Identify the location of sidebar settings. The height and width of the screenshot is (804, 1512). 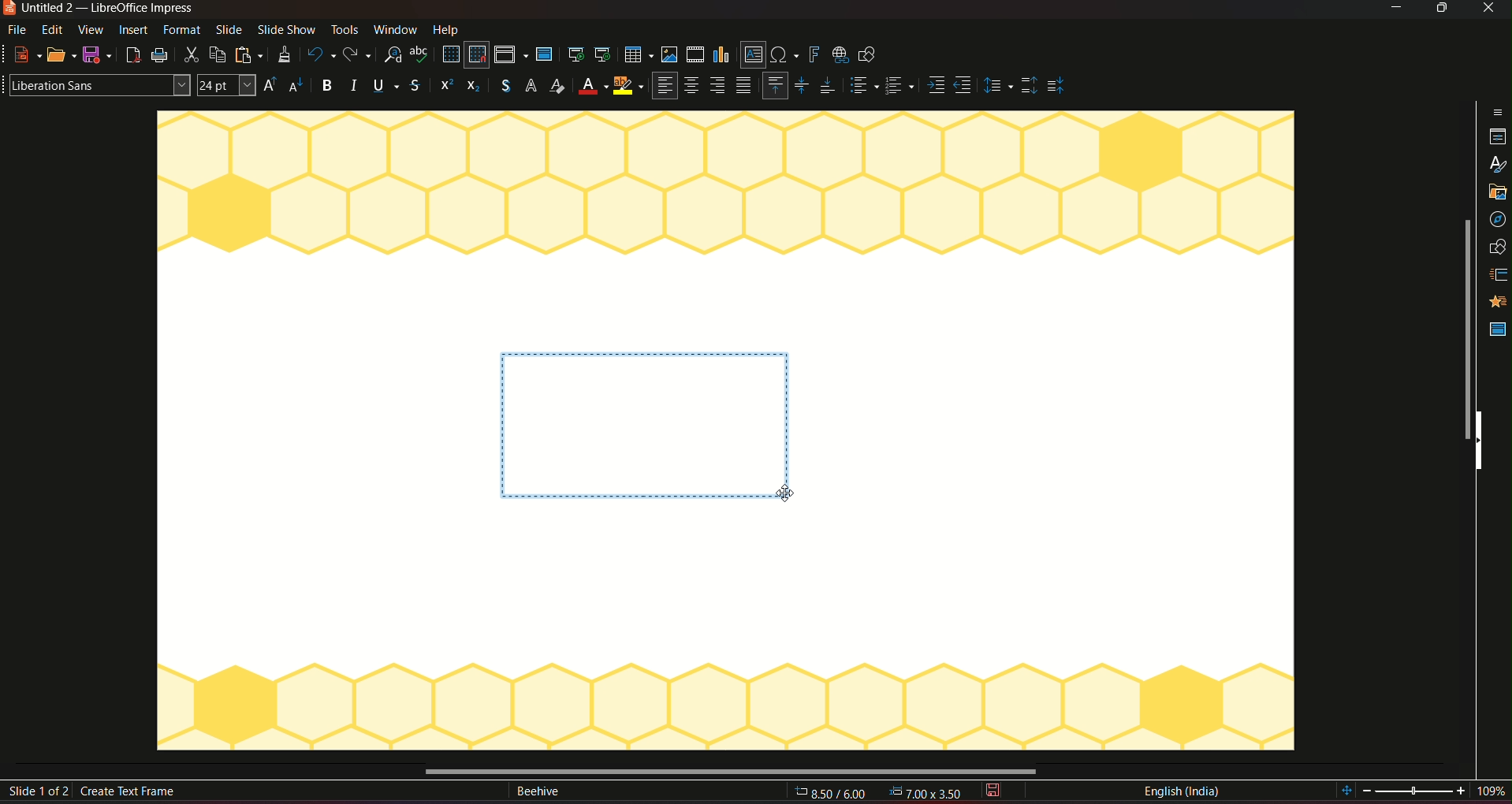
(1497, 80).